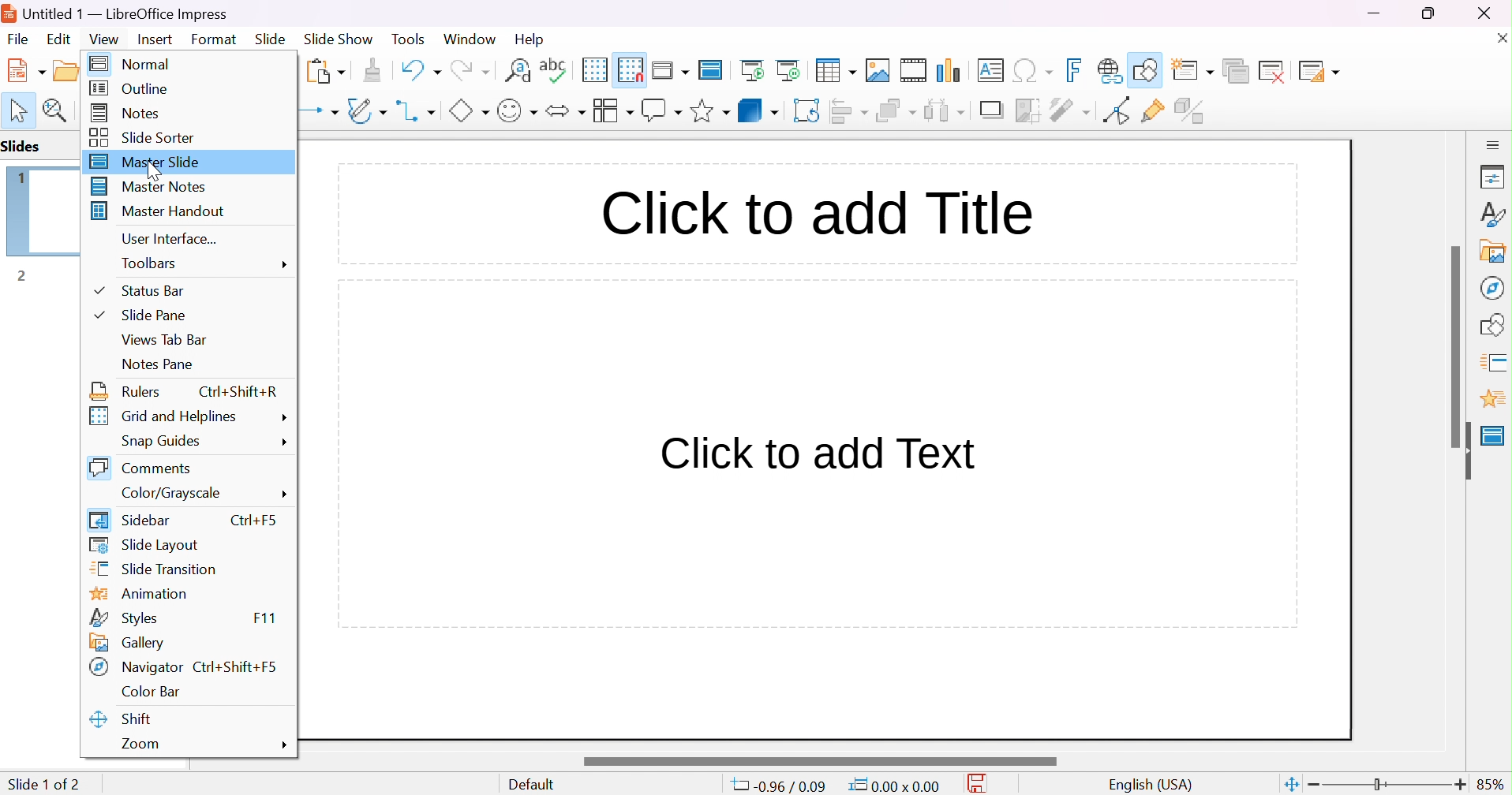 The width and height of the screenshot is (1512, 795). What do you see at coordinates (893, 786) in the screenshot?
I see `0.00*0.00` at bounding box center [893, 786].